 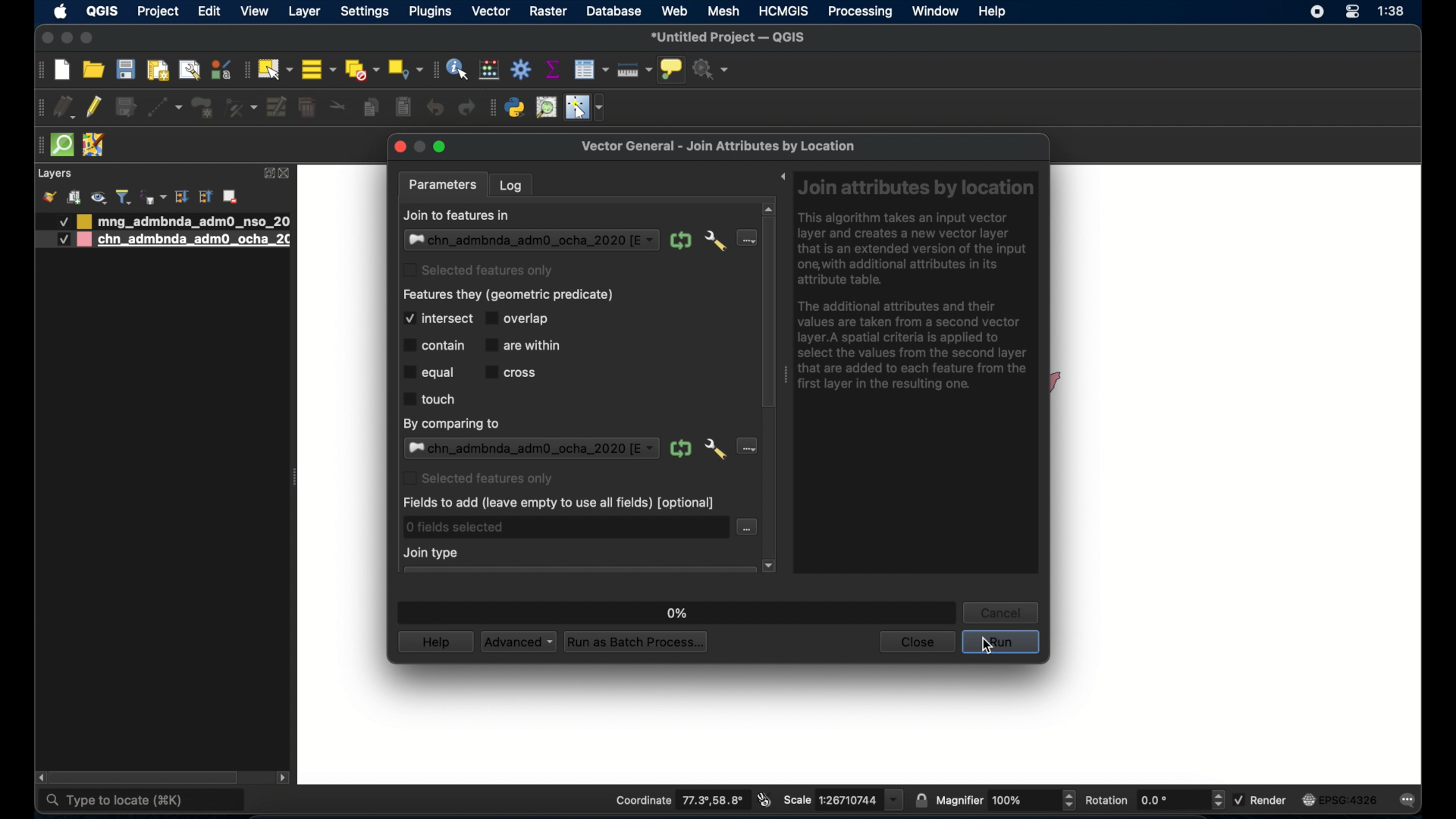 I want to click on equal, so click(x=428, y=372).